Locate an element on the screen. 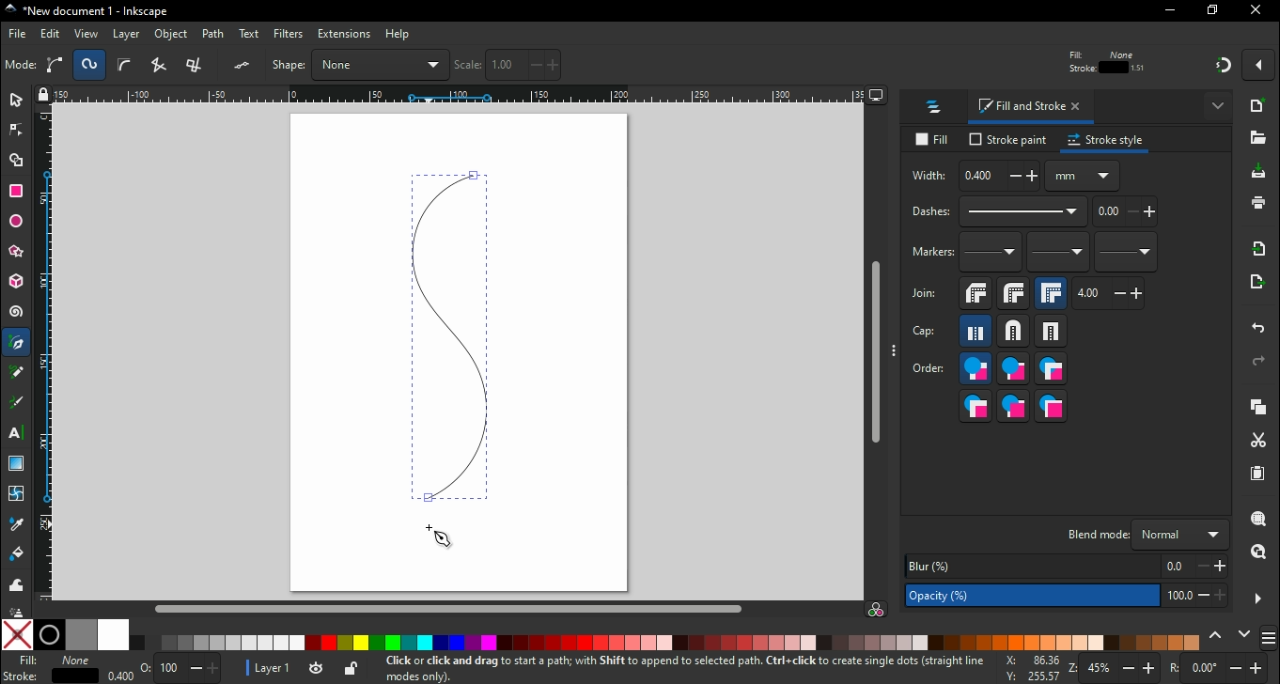 The image size is (1280, 684). create regular bezier path is located at coordinates (56, 65).